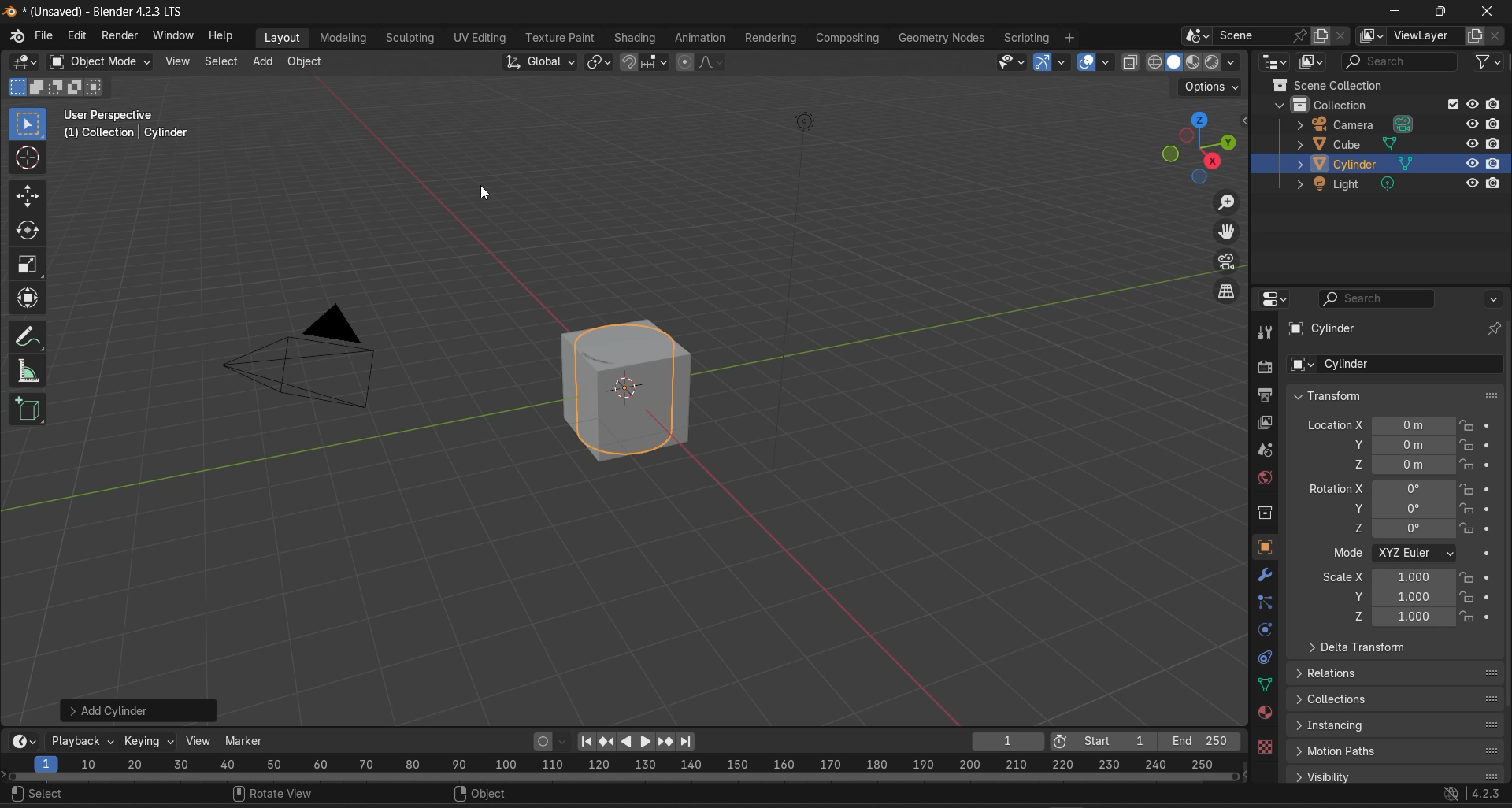 The height and width of the screenshot is (808, 1512). What do you see at coordinates (123, 126) in the screenshot?
I see `user perspective : cube` at bounding box center [123, 126].